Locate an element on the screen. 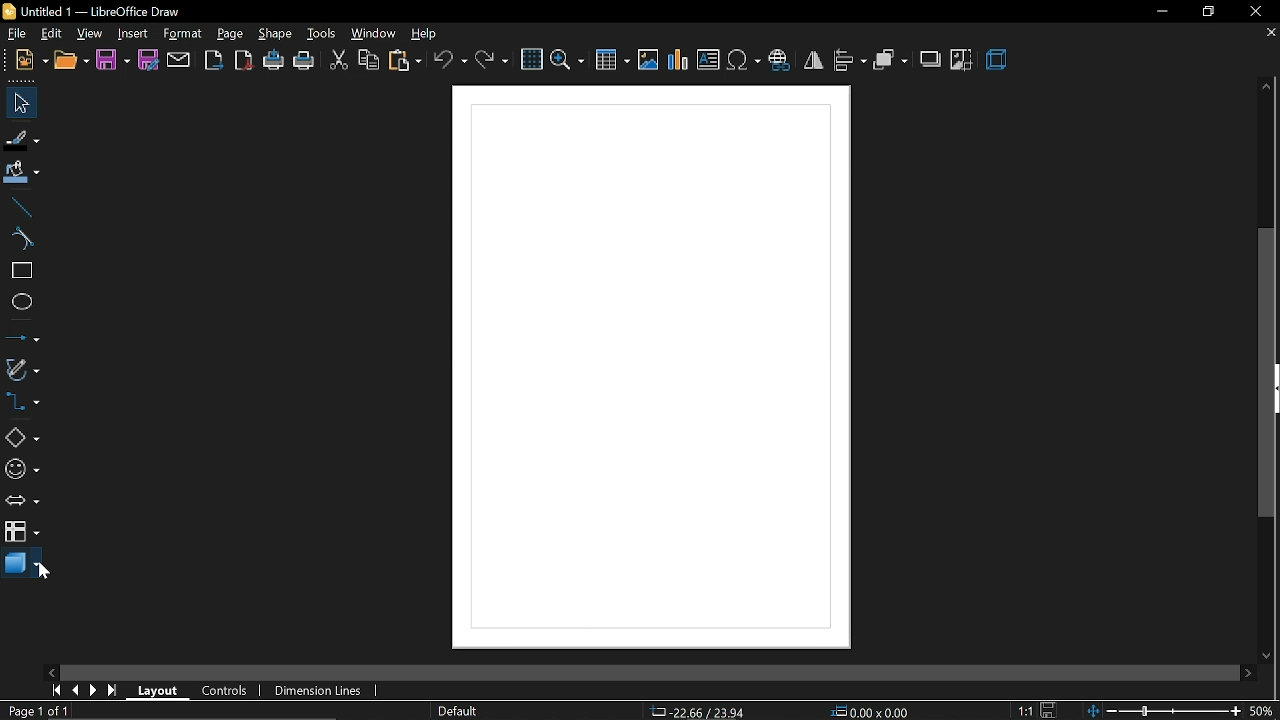 This screenshot has width=1280, height=720. help is located at coordinates (429, 33).